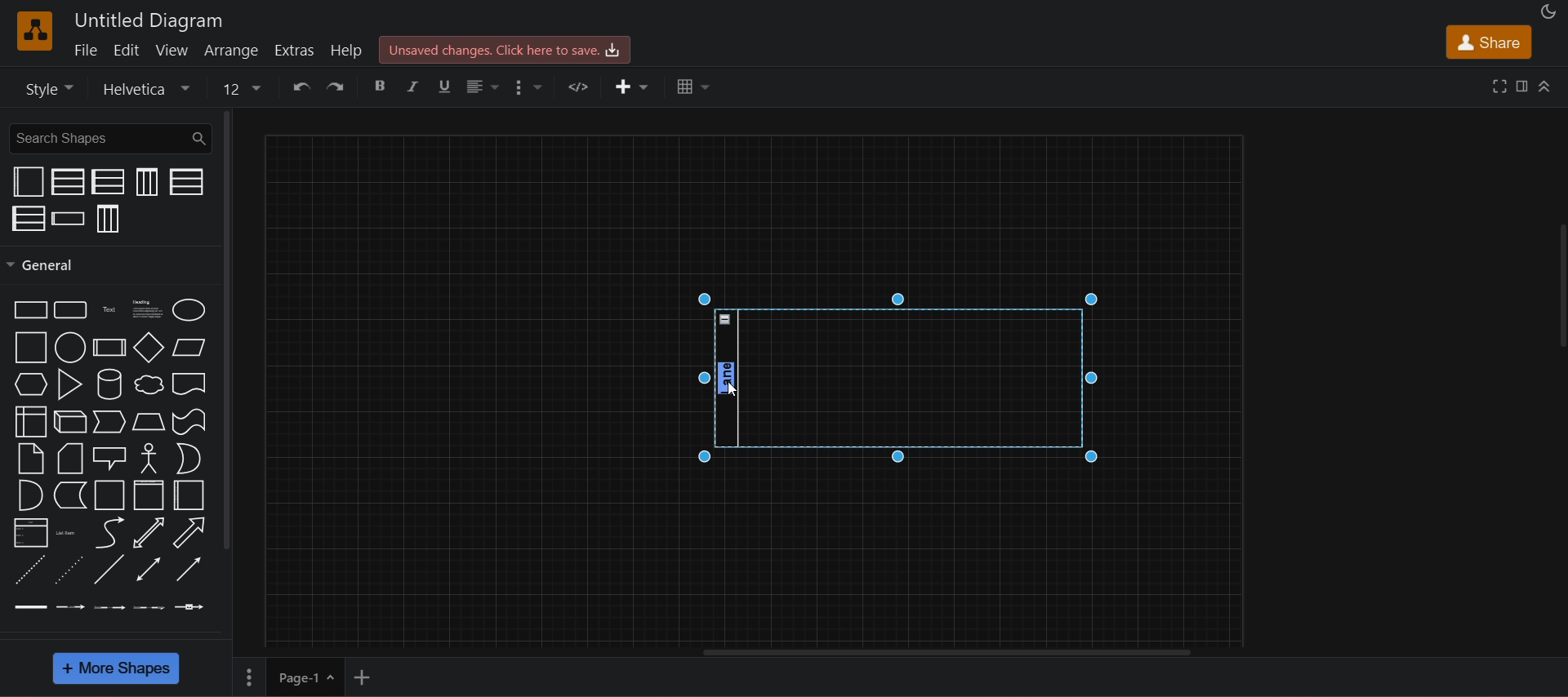 This screenshot has height=697, width=1568. What do you see at coordinates (110, 609) in the screenshot?
I see `connector with 2 labels` at bounding box center [110, 609].